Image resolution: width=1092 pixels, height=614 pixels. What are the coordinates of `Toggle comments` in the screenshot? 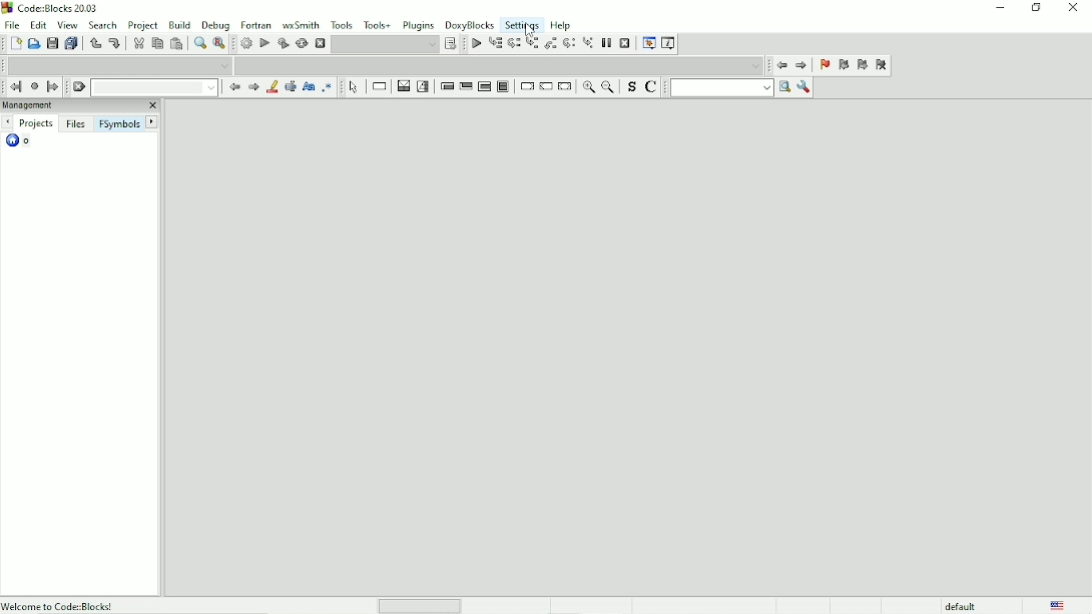 It's located at (652, 87).